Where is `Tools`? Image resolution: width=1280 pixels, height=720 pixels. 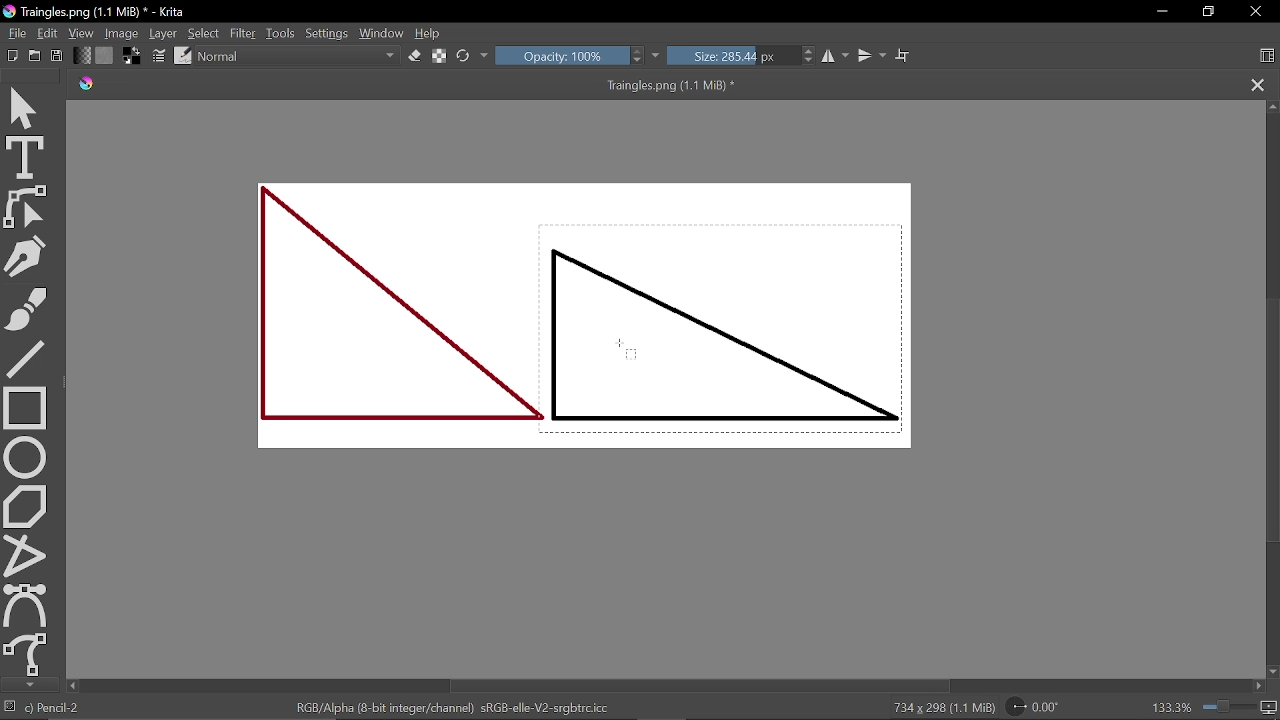 Tools is located at coordinates (280, 33).